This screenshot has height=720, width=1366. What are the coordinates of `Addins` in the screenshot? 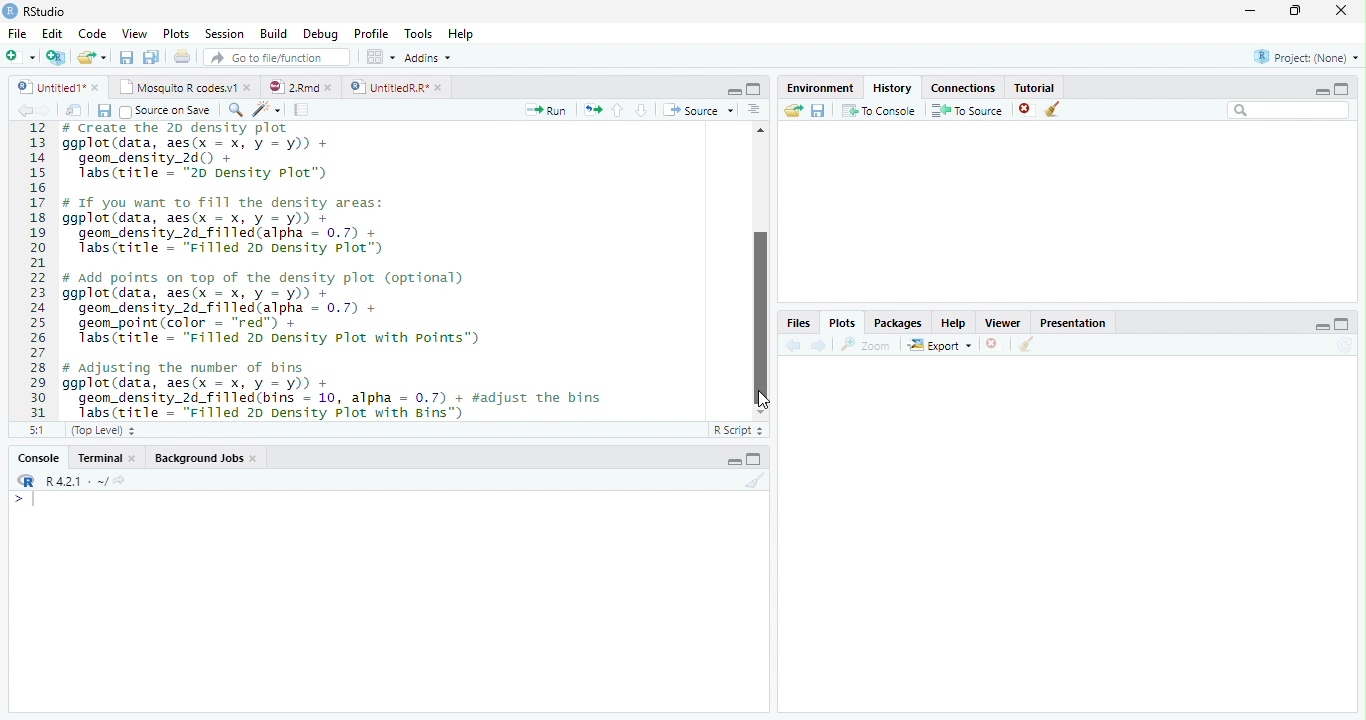 It's located at (427, 57).